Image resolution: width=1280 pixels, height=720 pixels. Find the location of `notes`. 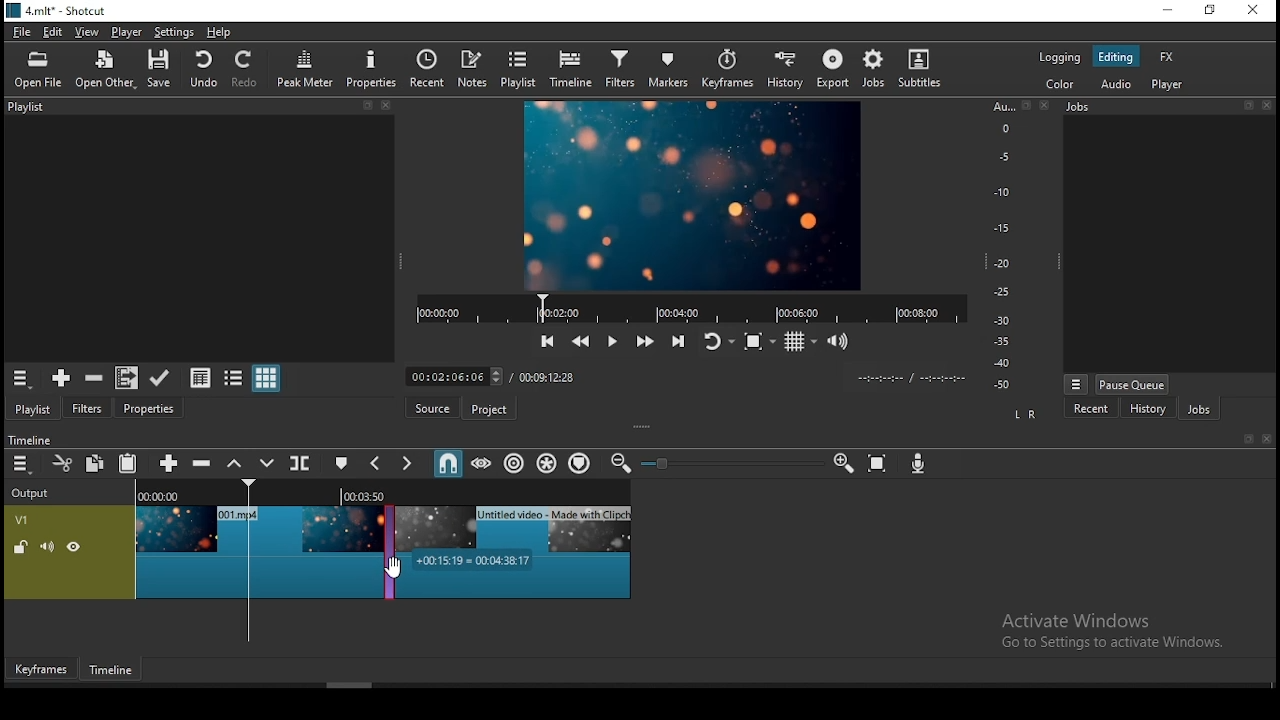

notes is located at coordinates (473, 68).